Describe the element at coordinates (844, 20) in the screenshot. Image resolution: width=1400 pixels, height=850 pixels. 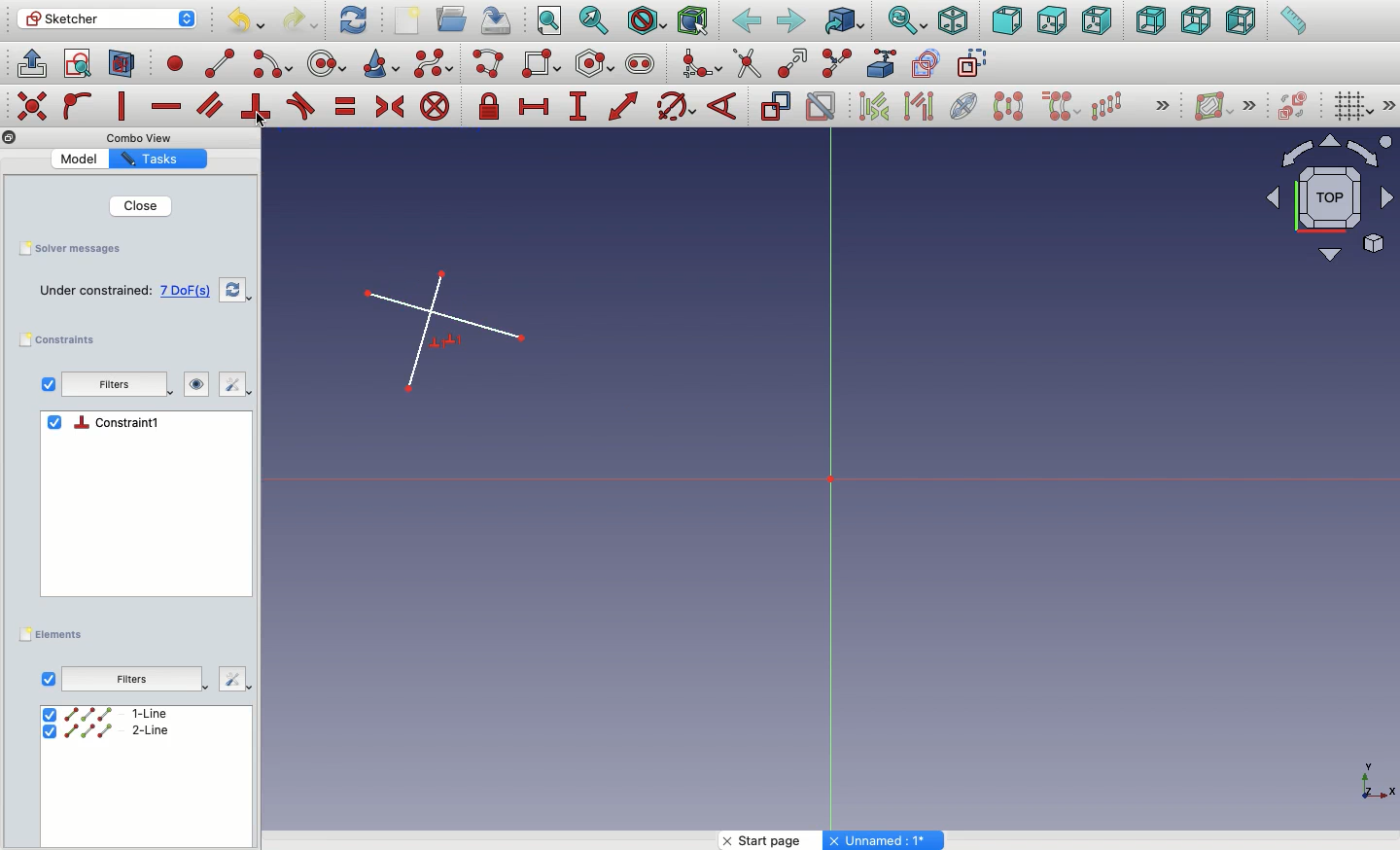
I see `Go to linked object` at that location.